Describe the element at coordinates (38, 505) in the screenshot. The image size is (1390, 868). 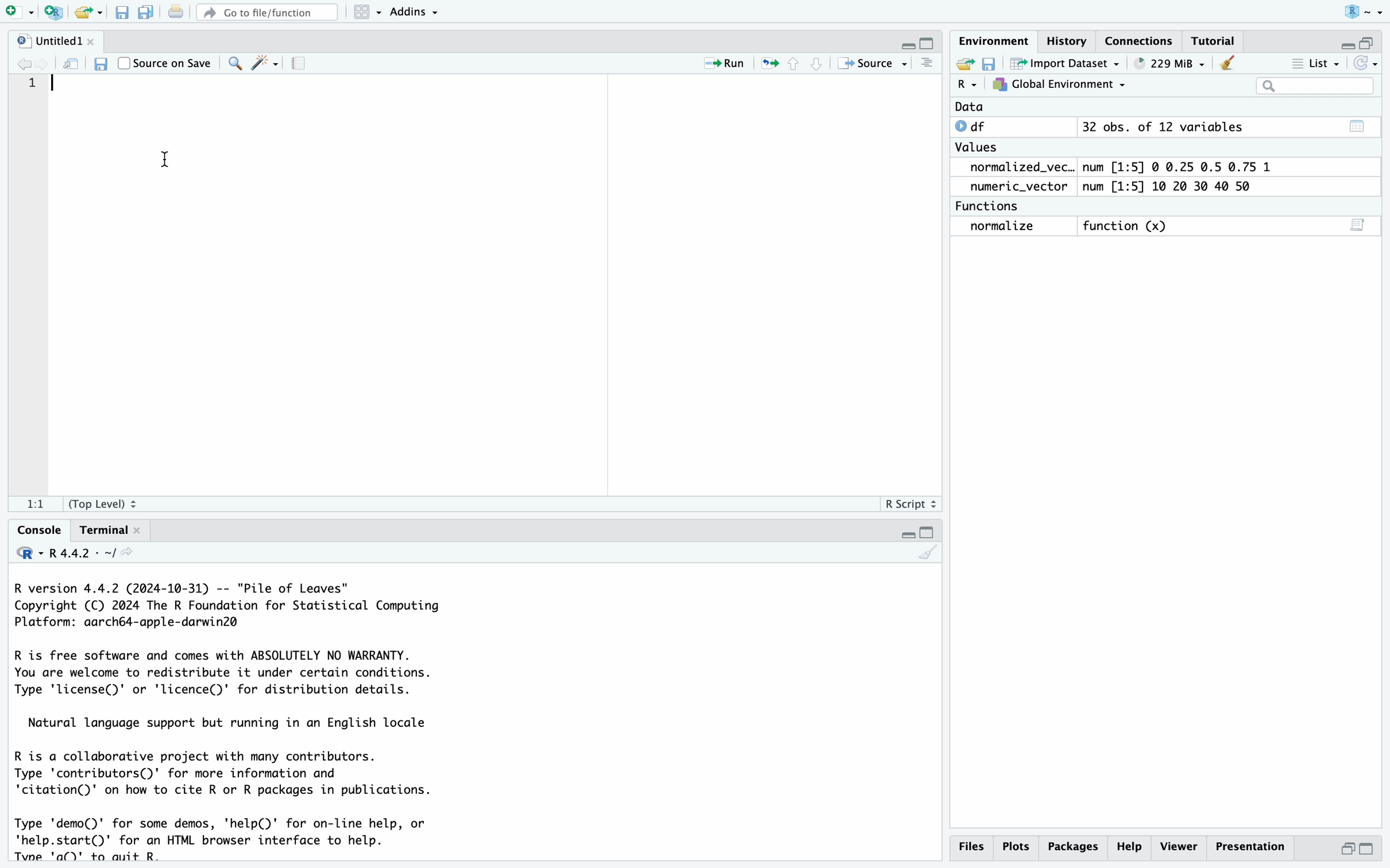
I see `1:1` at that location.